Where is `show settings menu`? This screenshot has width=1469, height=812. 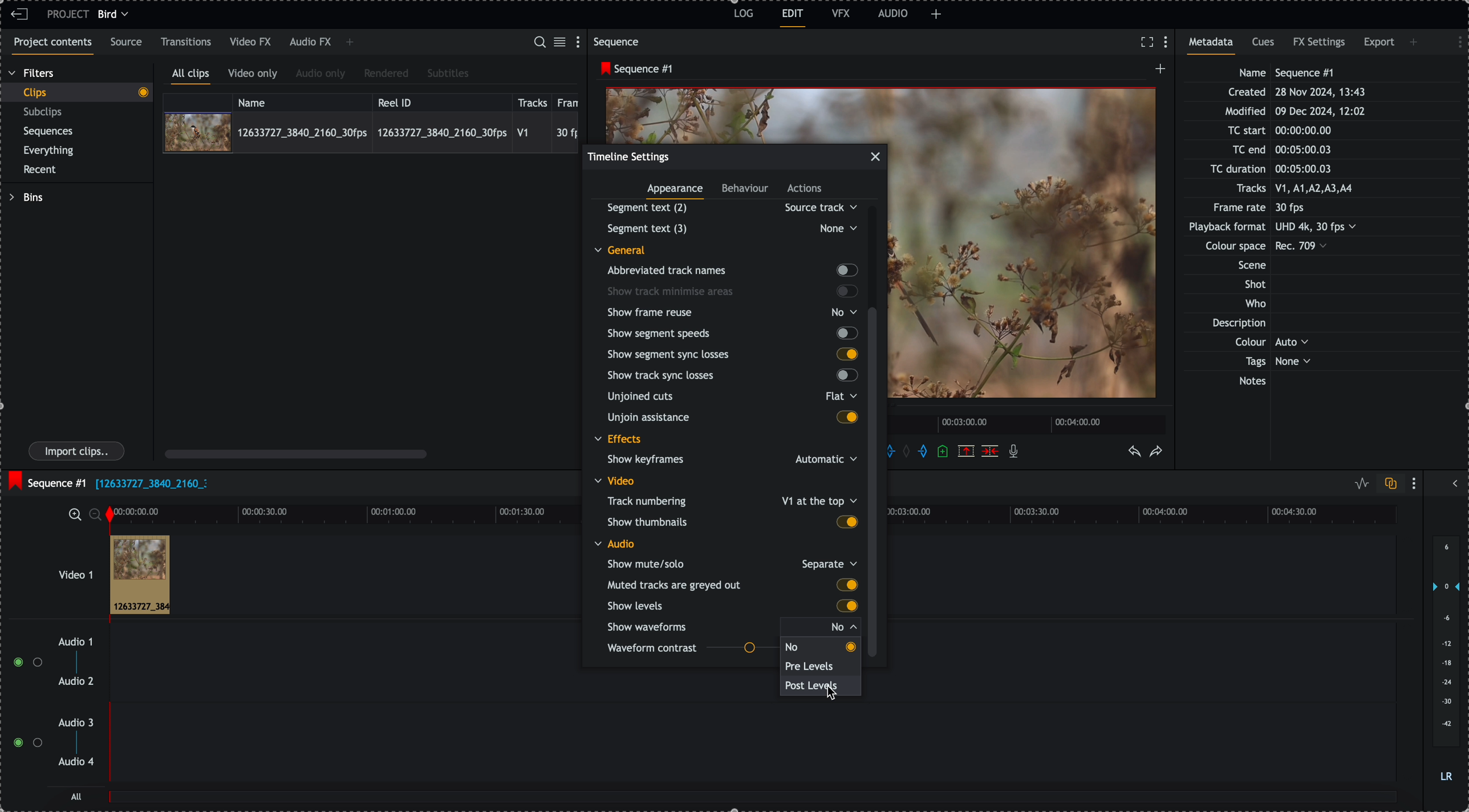
show settings menu is located at coordinates (1454, 40).